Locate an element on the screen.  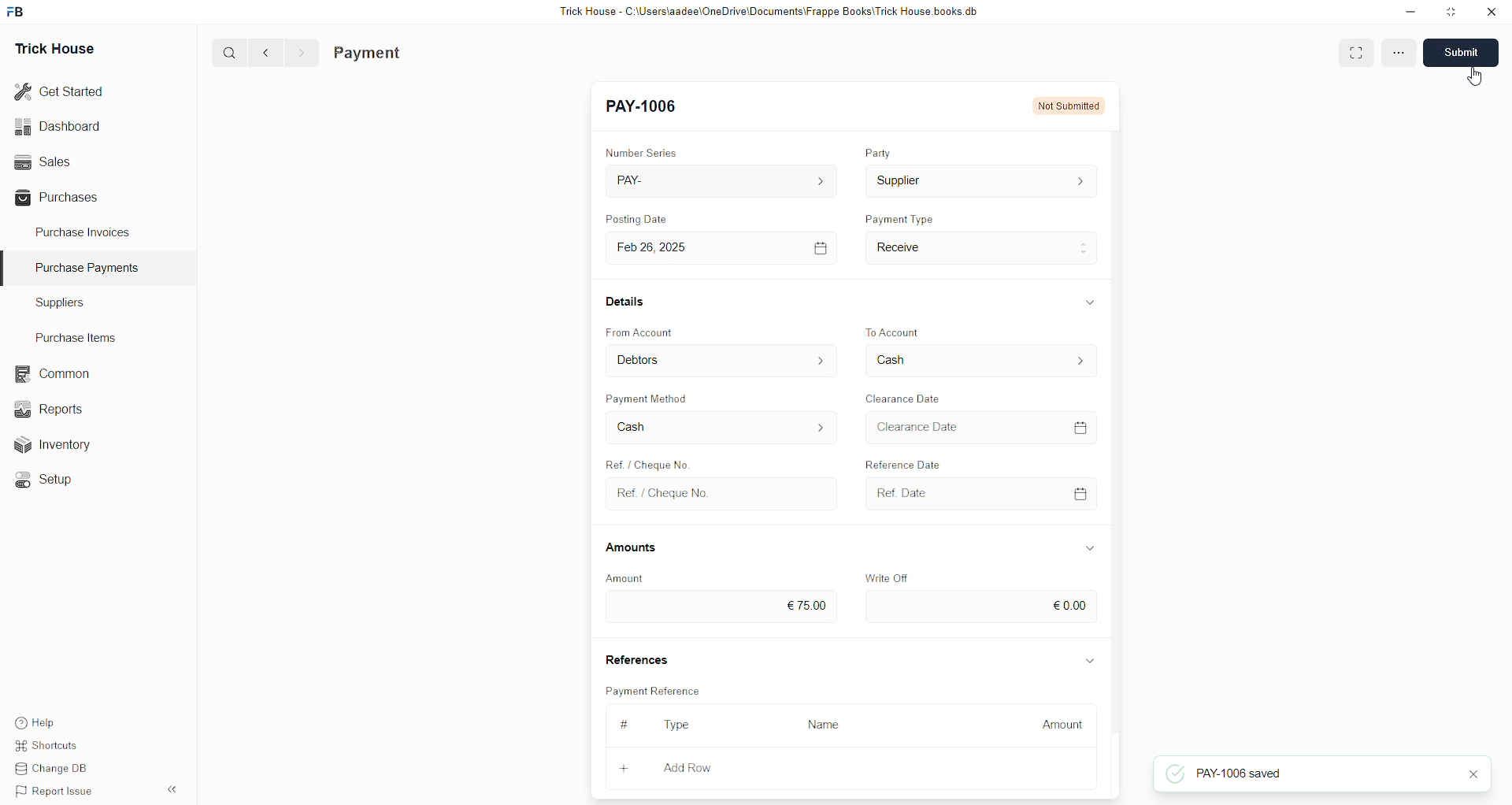
Purchase Payments is located at coordinates (92, 268).